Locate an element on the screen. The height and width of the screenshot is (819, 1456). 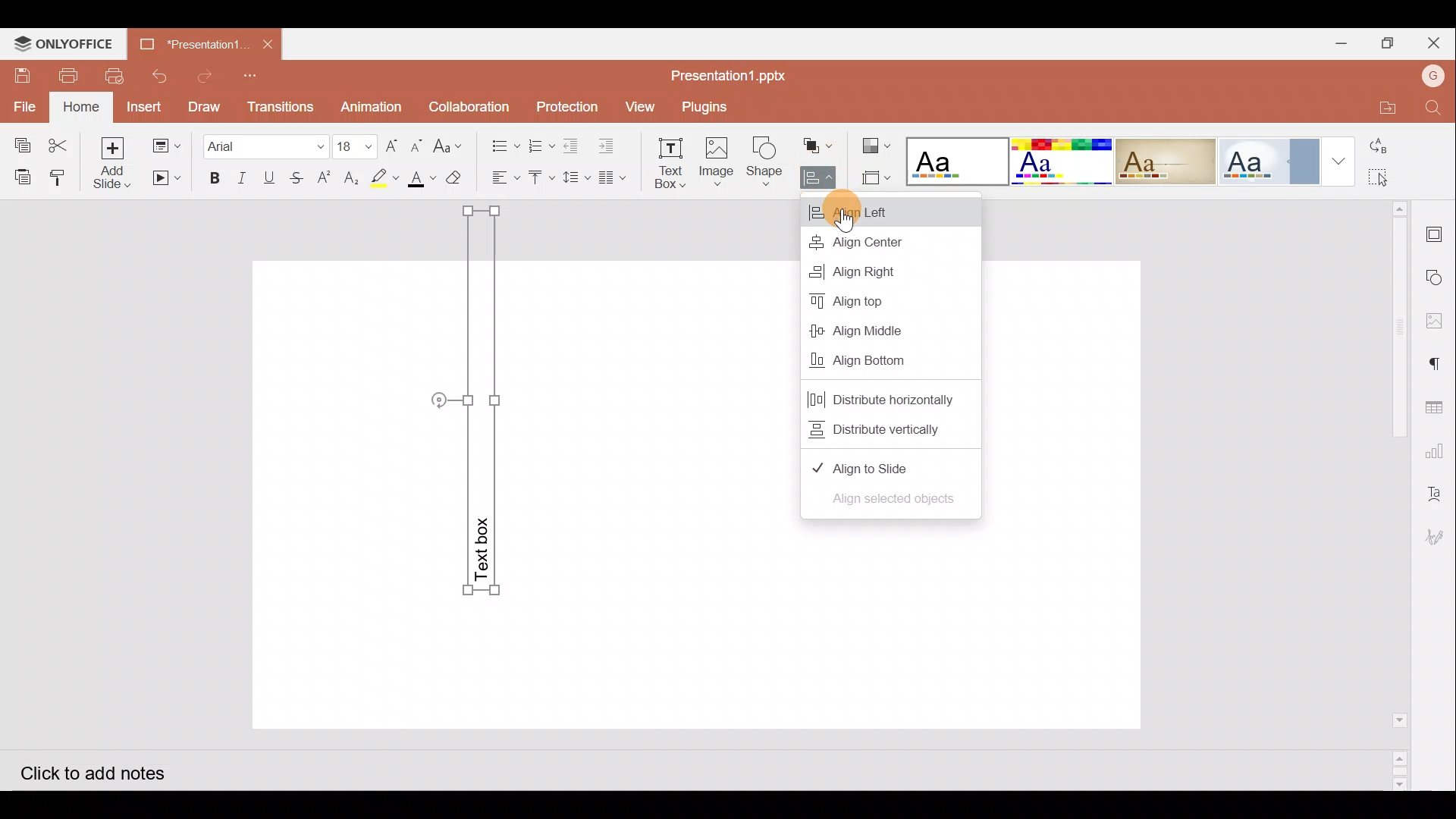
Distribute horizontally is located at coordinates (896, 395).